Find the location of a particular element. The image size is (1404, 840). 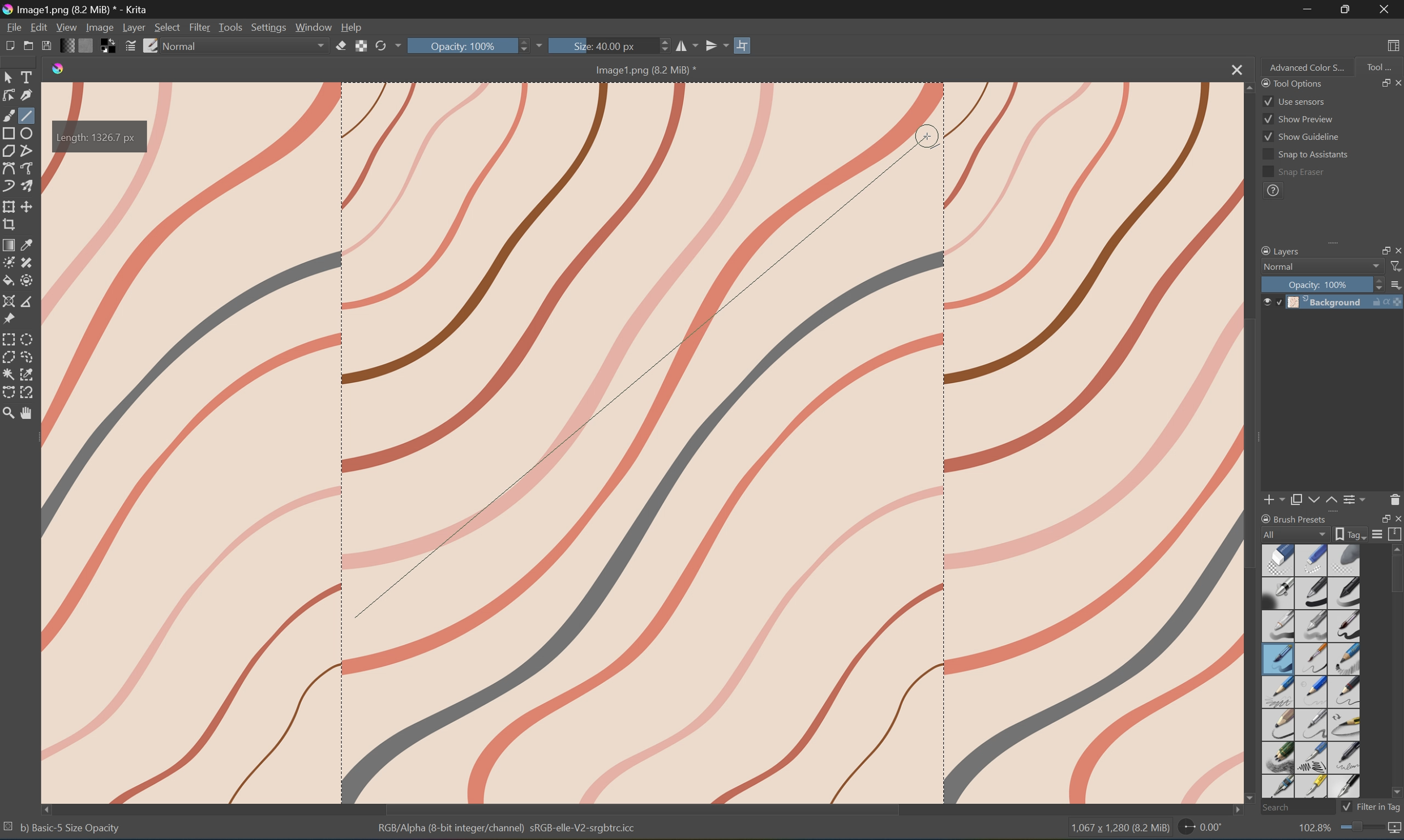

Drop Down is located at coordinates (1375, 267).